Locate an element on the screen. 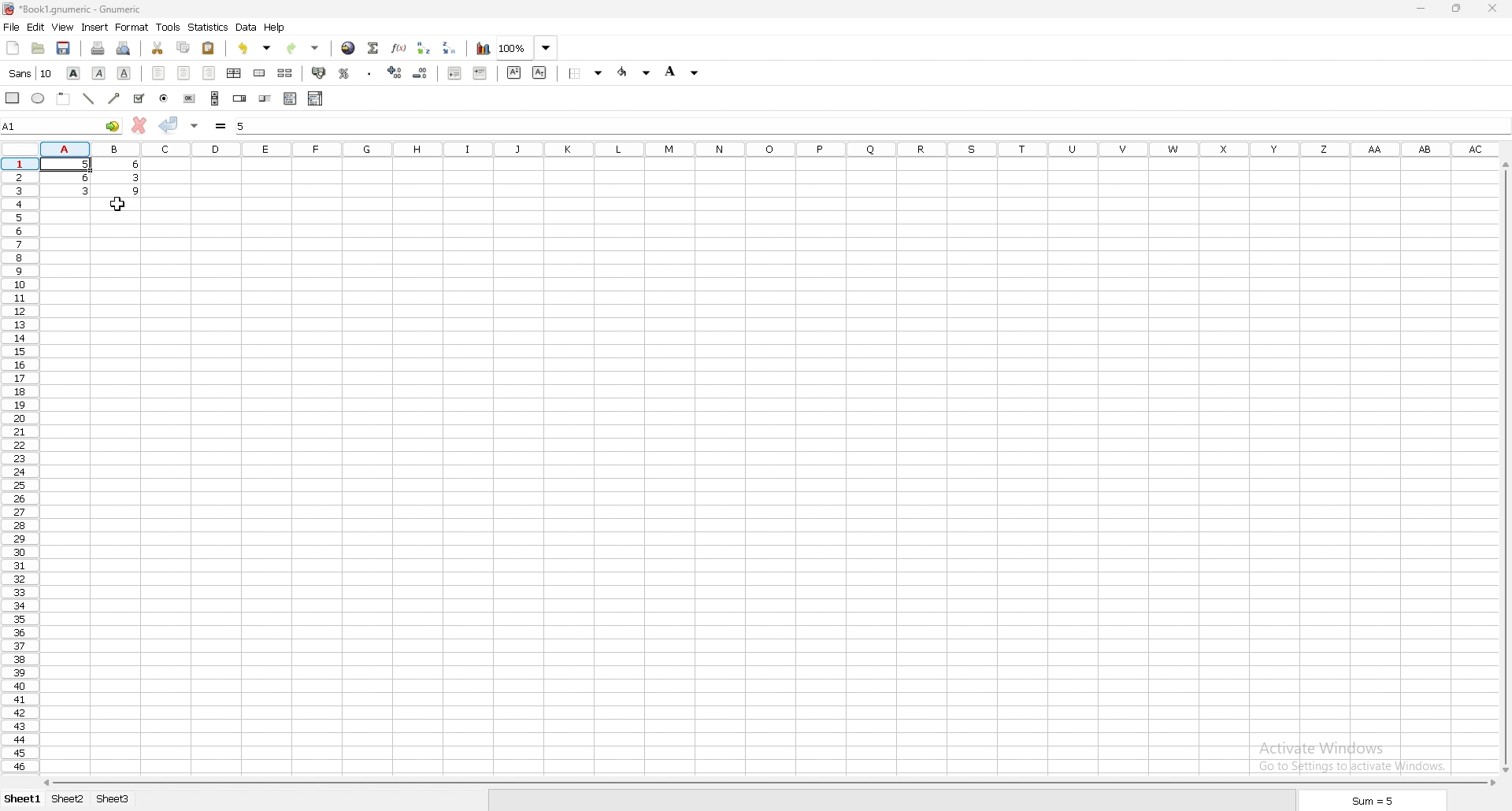  copy is located at coordinates (183, 49).